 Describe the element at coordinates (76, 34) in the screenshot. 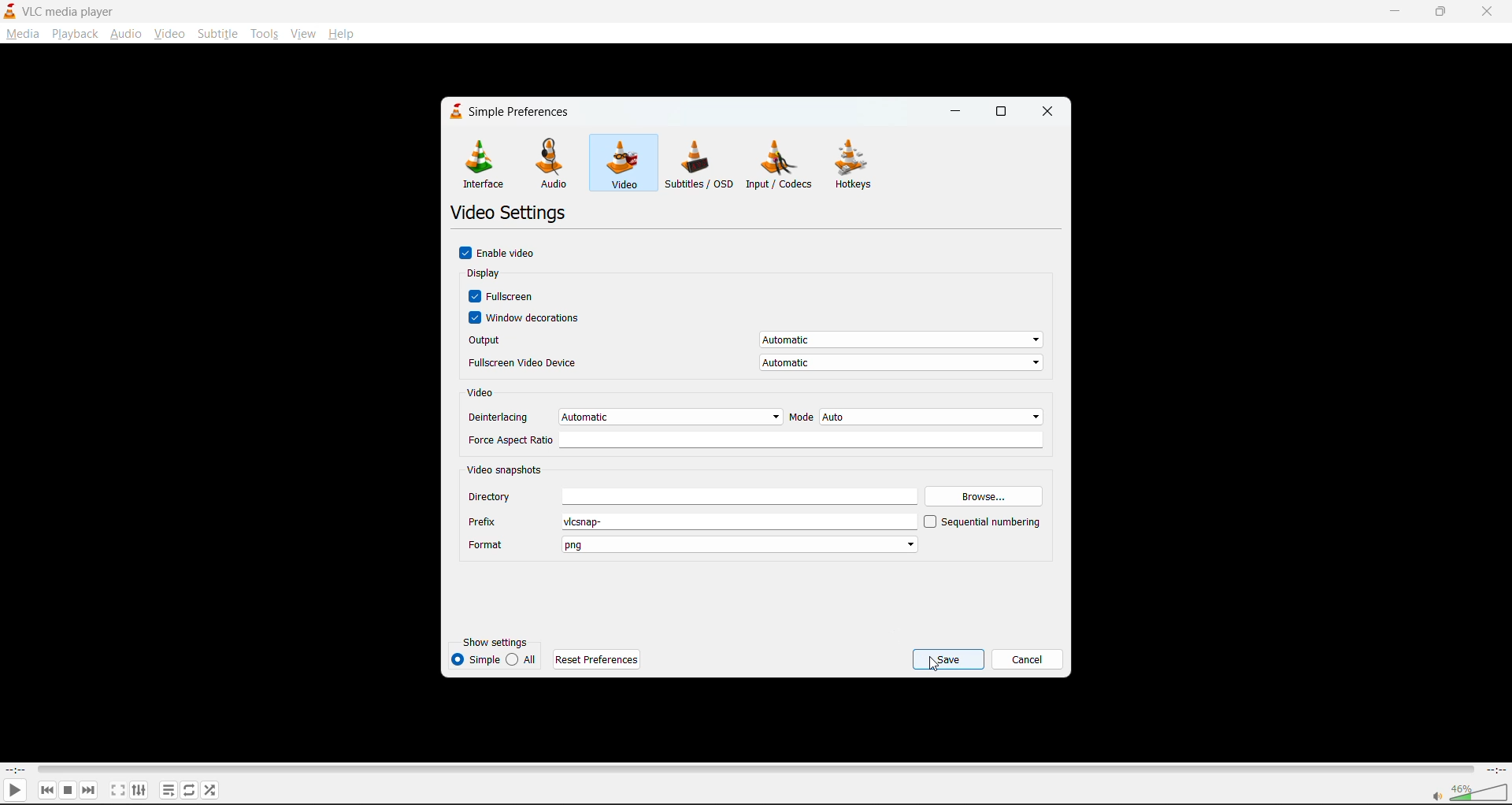

I see `playback` at that location.